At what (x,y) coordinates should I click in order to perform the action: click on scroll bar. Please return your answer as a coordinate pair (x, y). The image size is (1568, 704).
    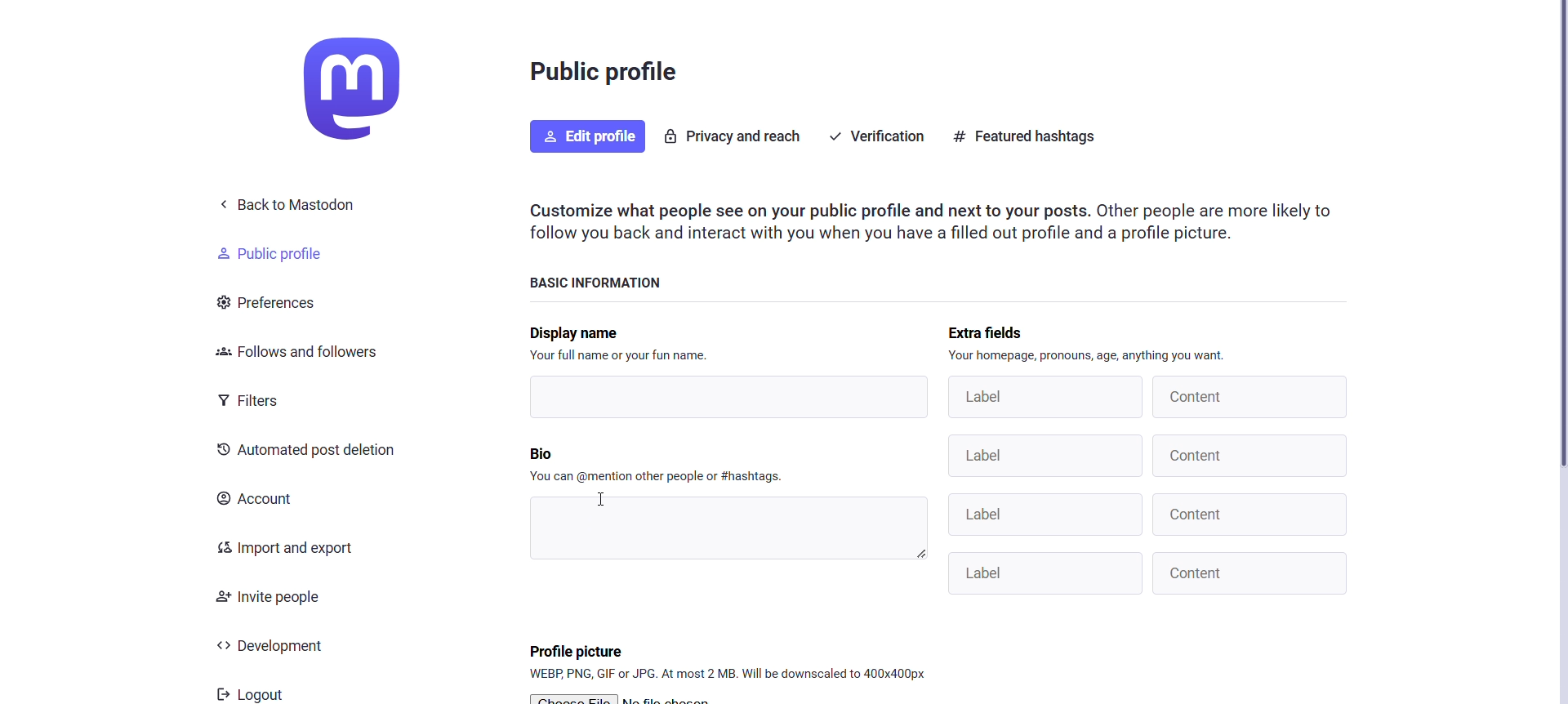
    Looking at the image, I should click on (1564, 239).